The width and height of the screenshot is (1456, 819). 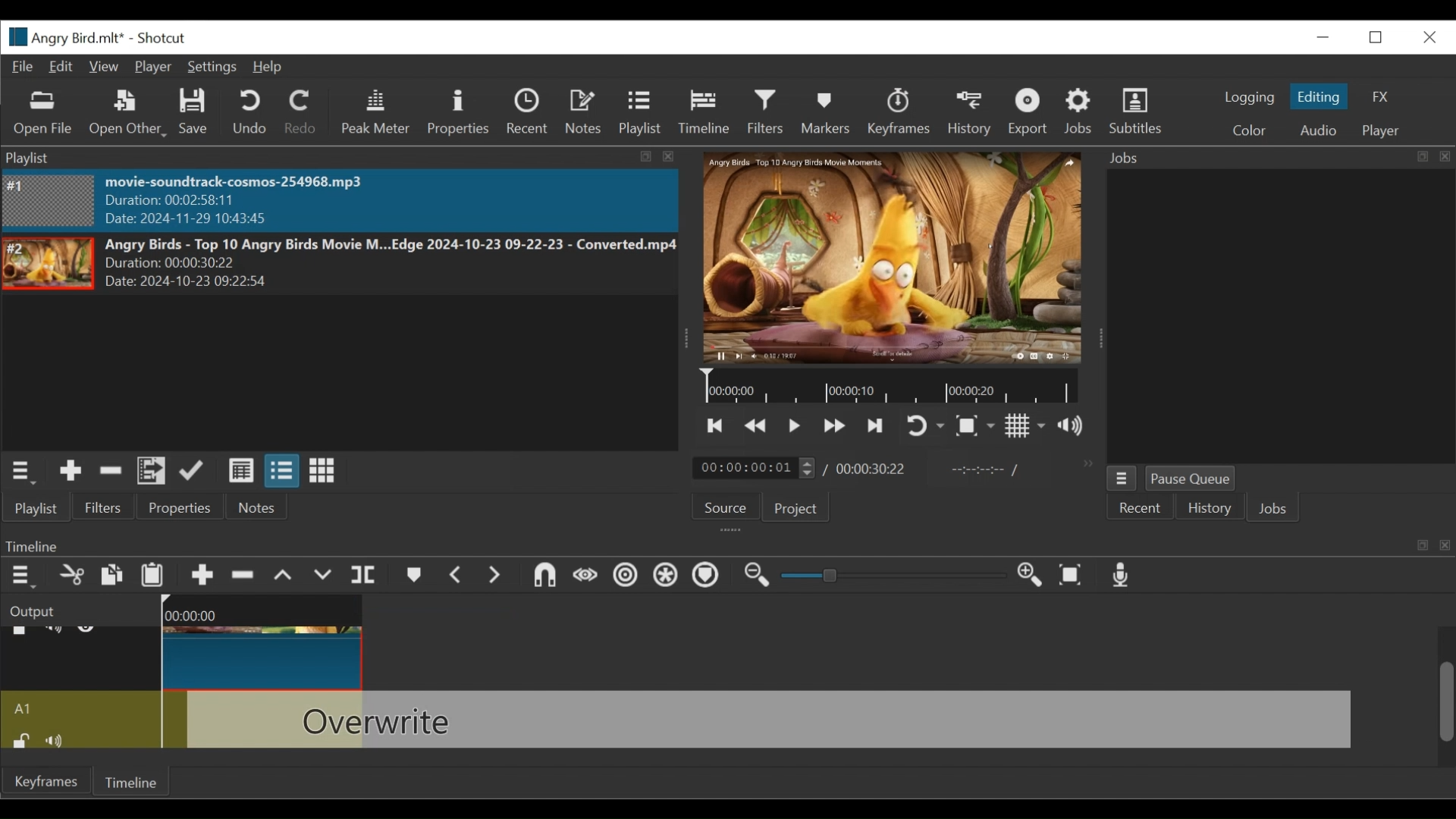 What do you see at coordinates (412, 576) in the screenshot?
I see `Markers` at bounding box center [412, 576].